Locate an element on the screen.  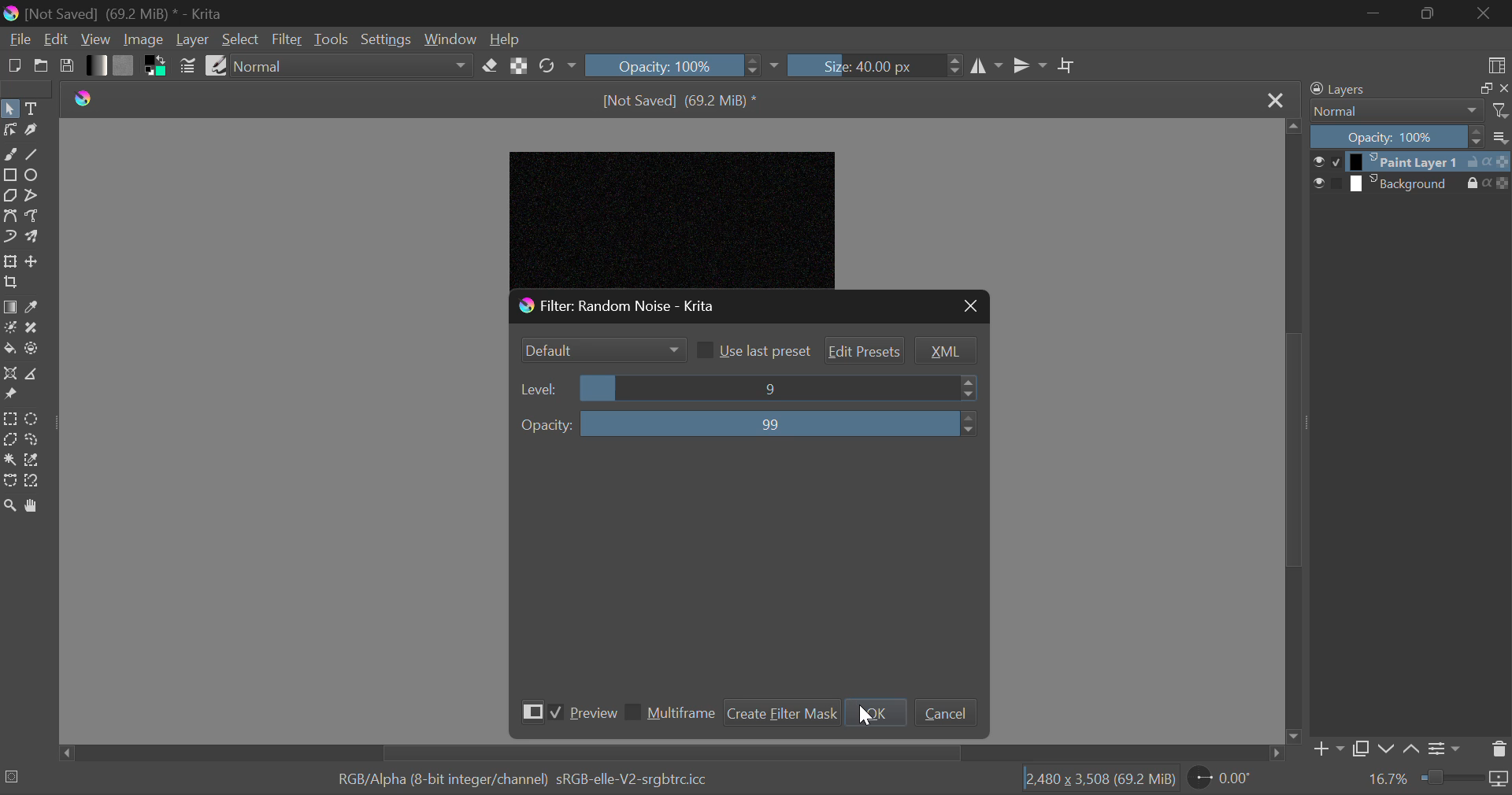
Zoom is located at coordinates (11, 505).